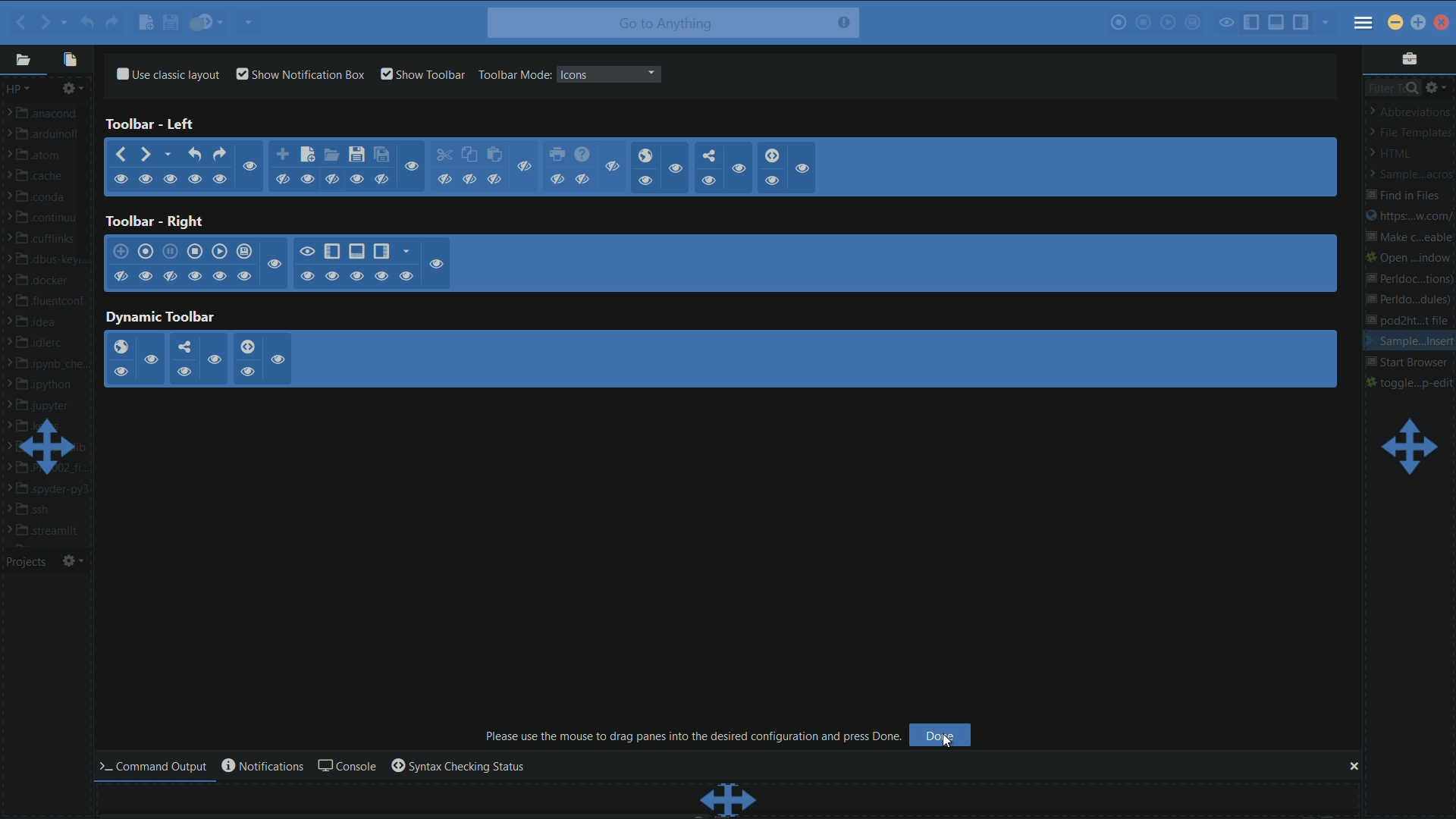 The image size is (1456, 819). I want to click on show/hide, so click(146, 180).